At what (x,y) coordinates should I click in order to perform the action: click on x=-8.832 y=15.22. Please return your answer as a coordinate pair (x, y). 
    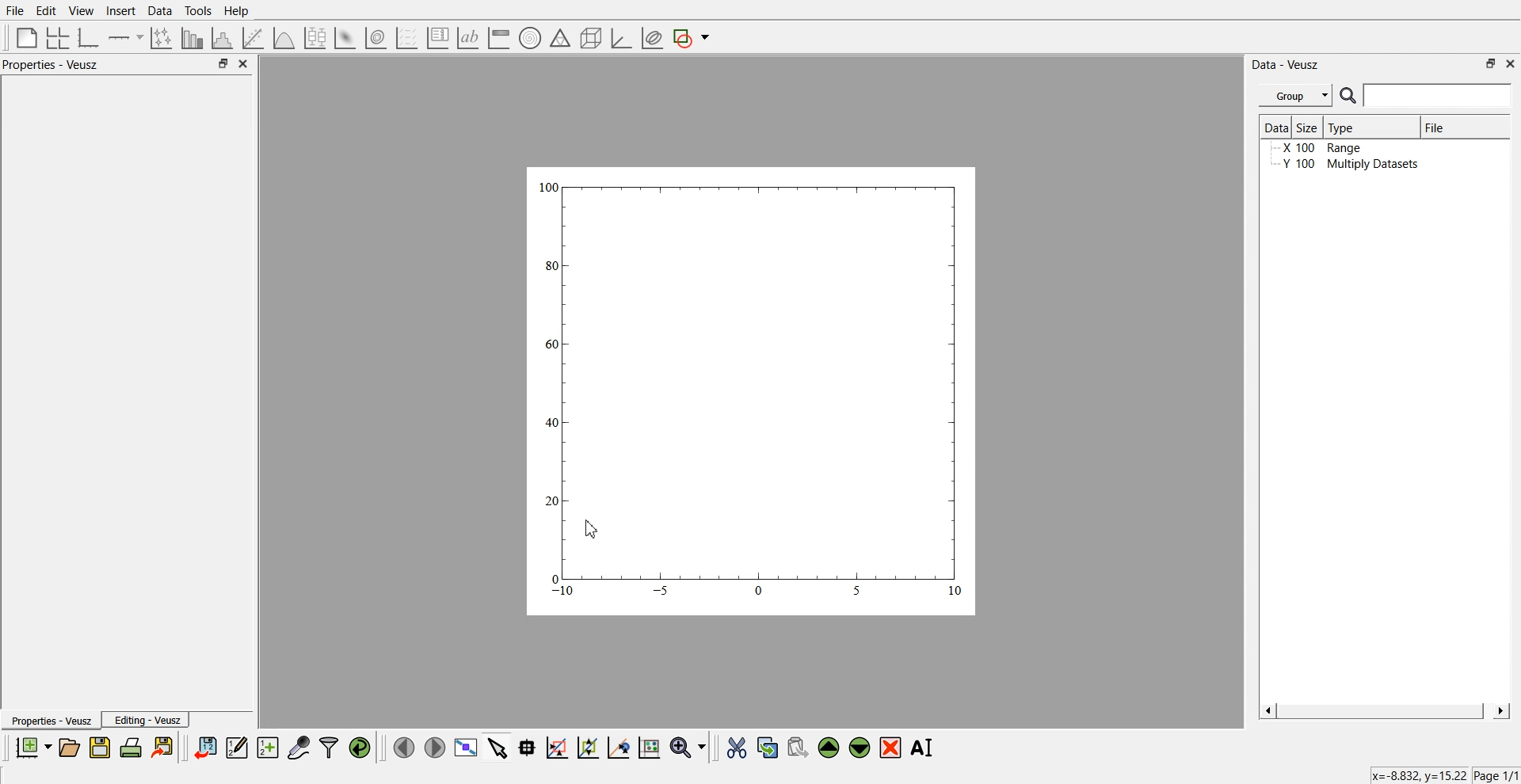
    Looking at the image, I should click on (1415, 773).